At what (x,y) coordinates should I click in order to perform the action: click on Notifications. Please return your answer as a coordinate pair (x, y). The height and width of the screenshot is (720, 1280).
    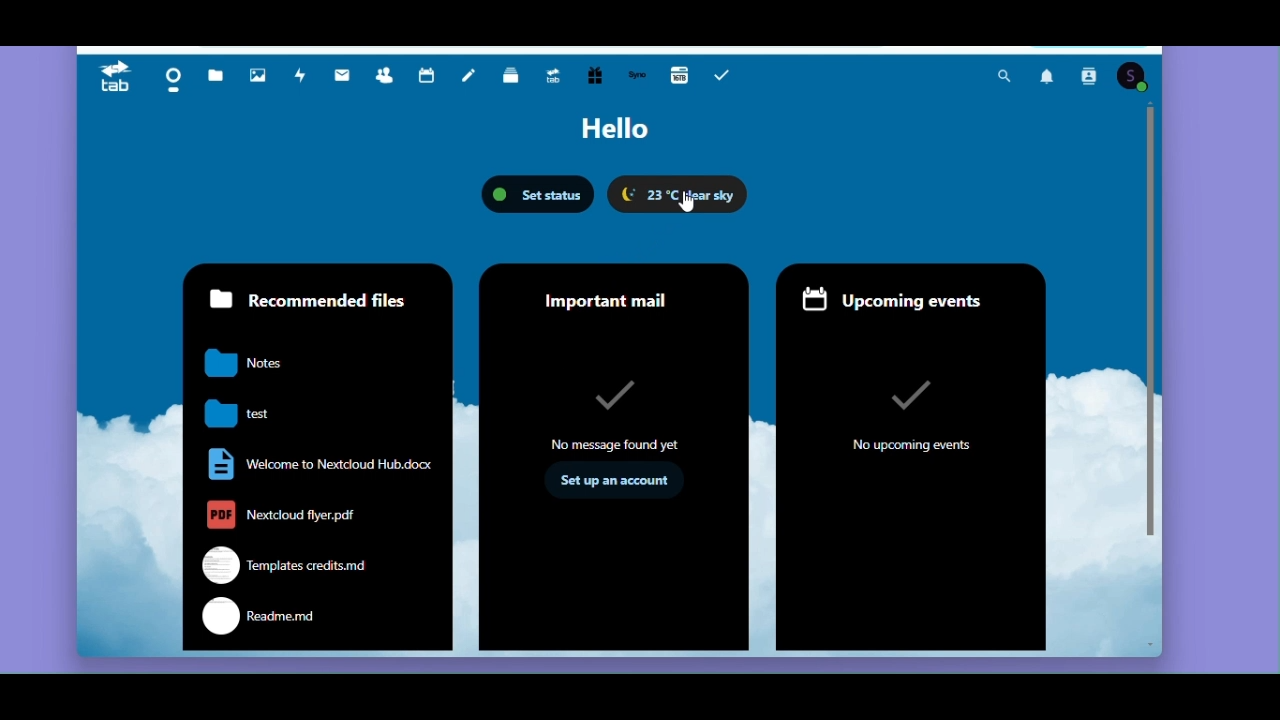
    Looking at the image, I should click on (1051, 75).